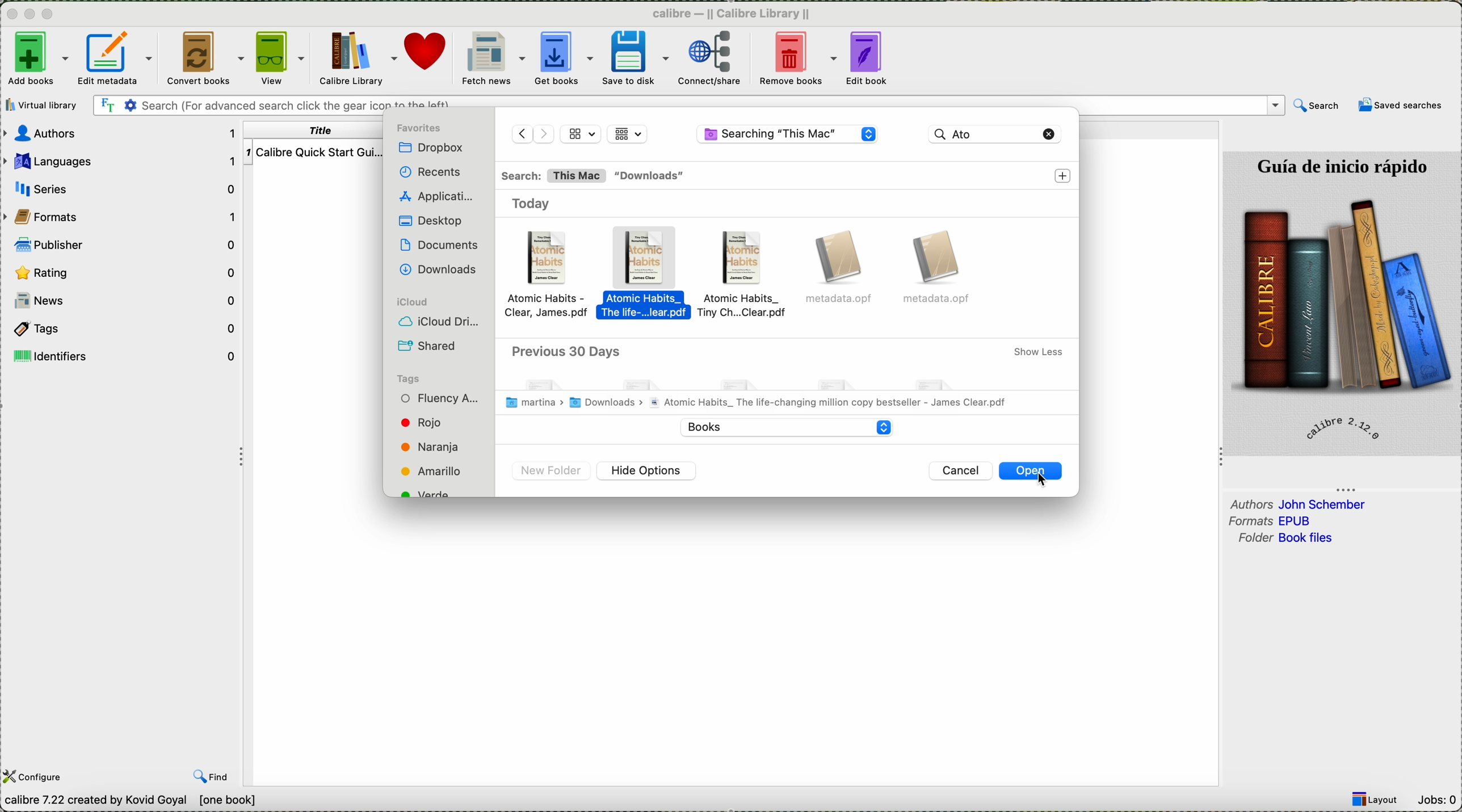 The height and width of the screenshot is (812, 1462). Describe the element at coordinates (1343, 303) in the screenshot. I see `image quick start guide` at that location.